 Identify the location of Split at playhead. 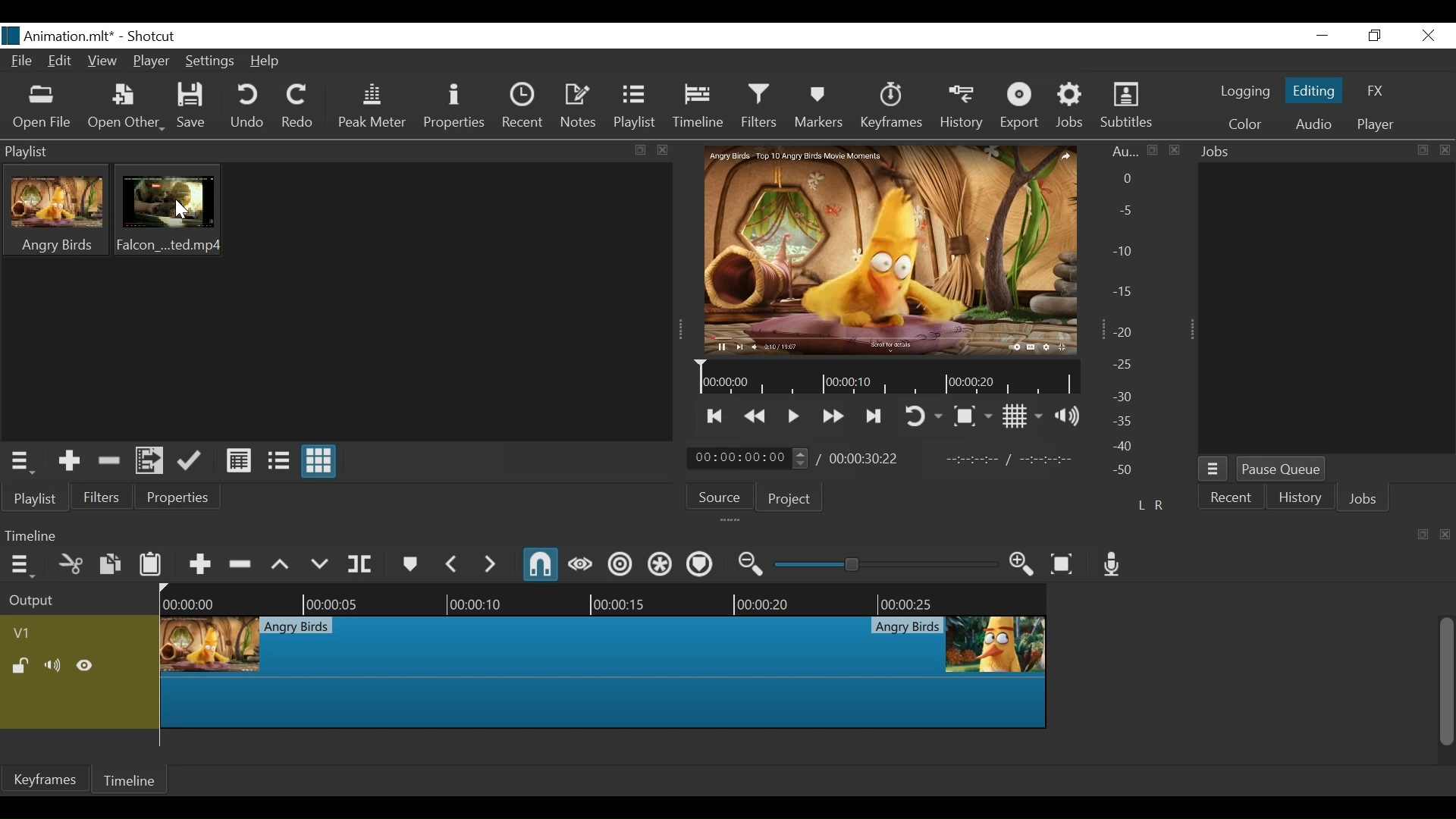
(360, 563).